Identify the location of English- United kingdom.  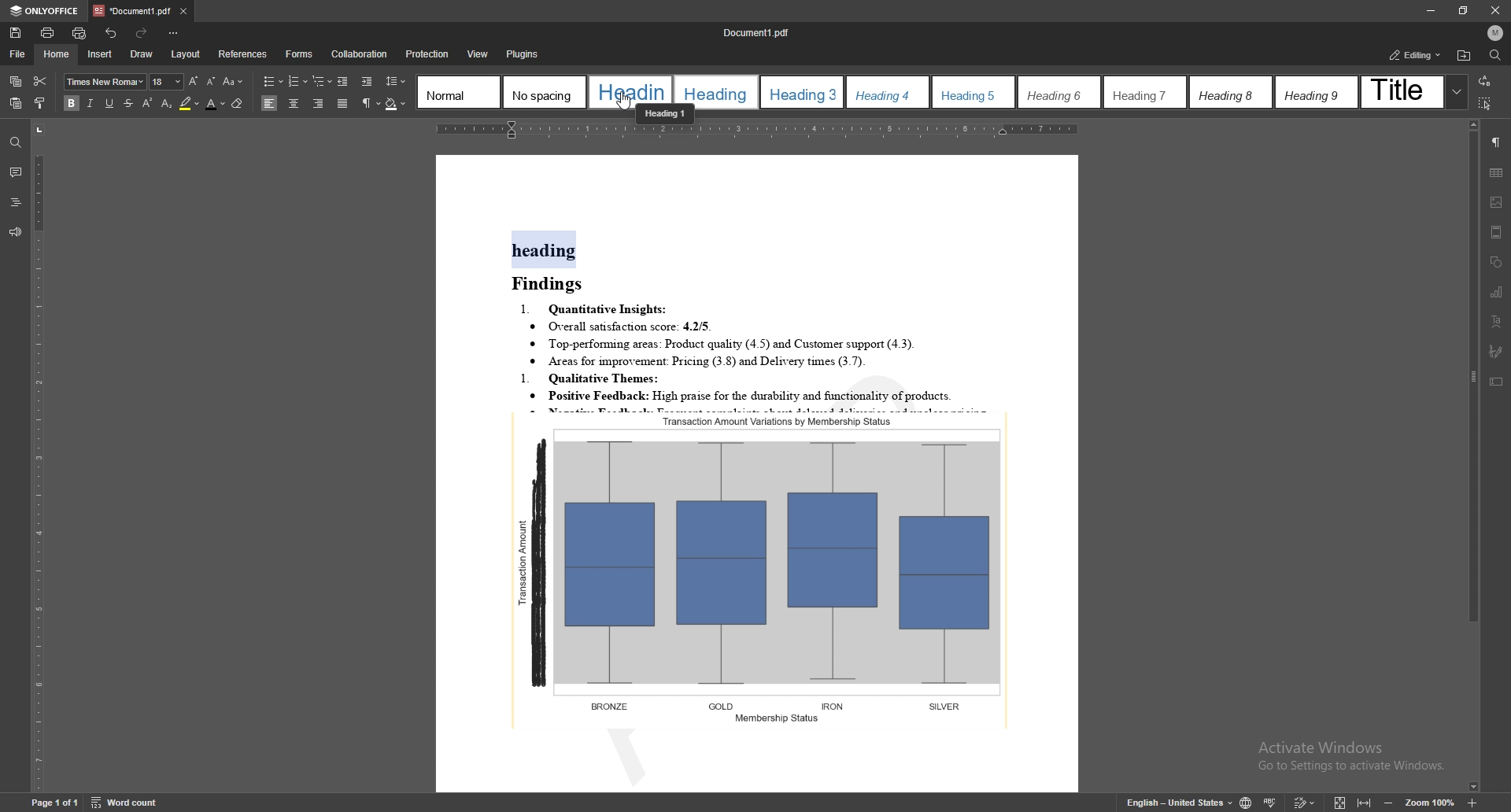
(1170, 803).